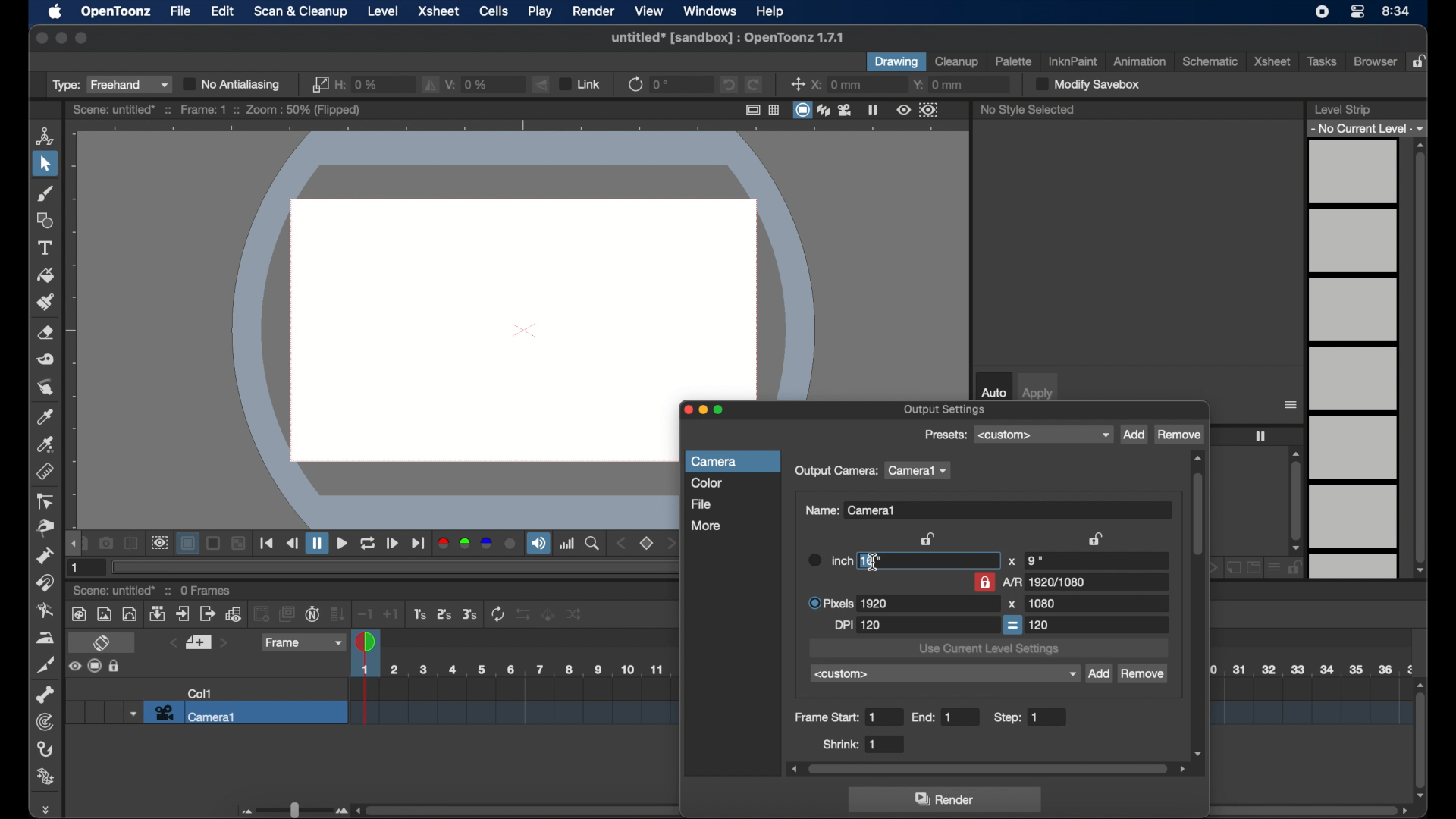 The height and width of the screenshot is (819, 1456). Describe the element at coordinates (1310, 700) in the screenshot. I see `scene scale` at that location.